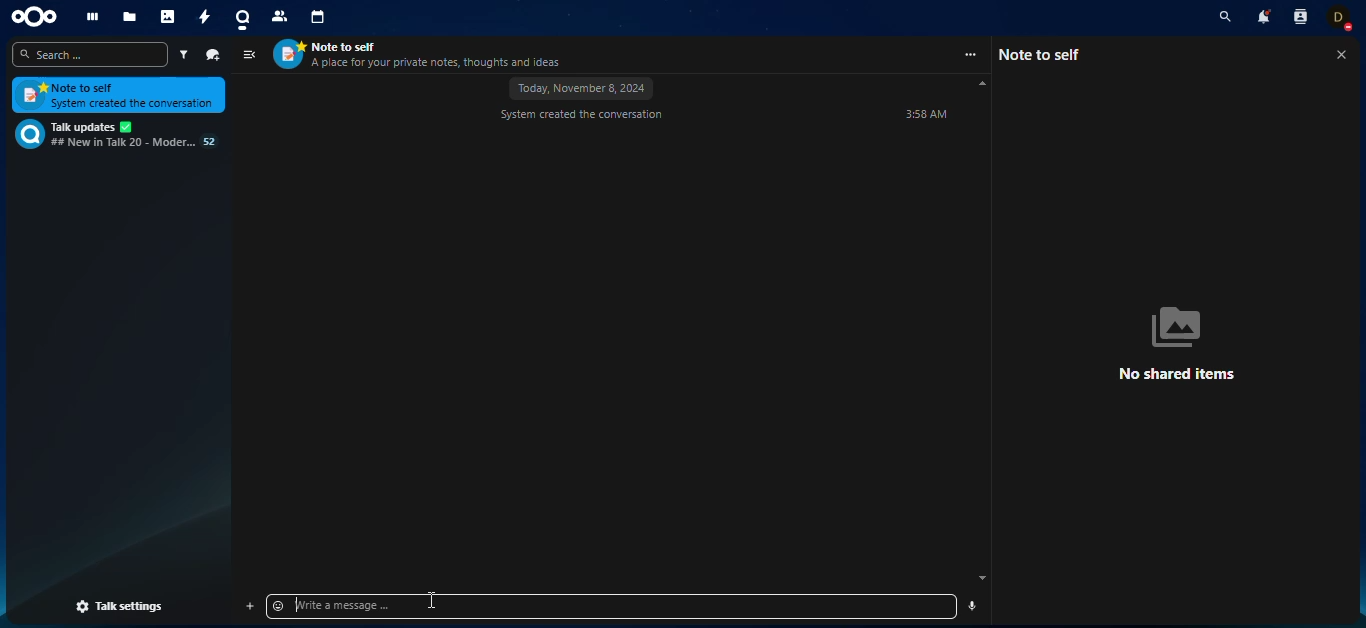  What do you see at coordinates (1186, 342) in the screenshot?
I see `no shared items` at bounding box center [1186, 342].